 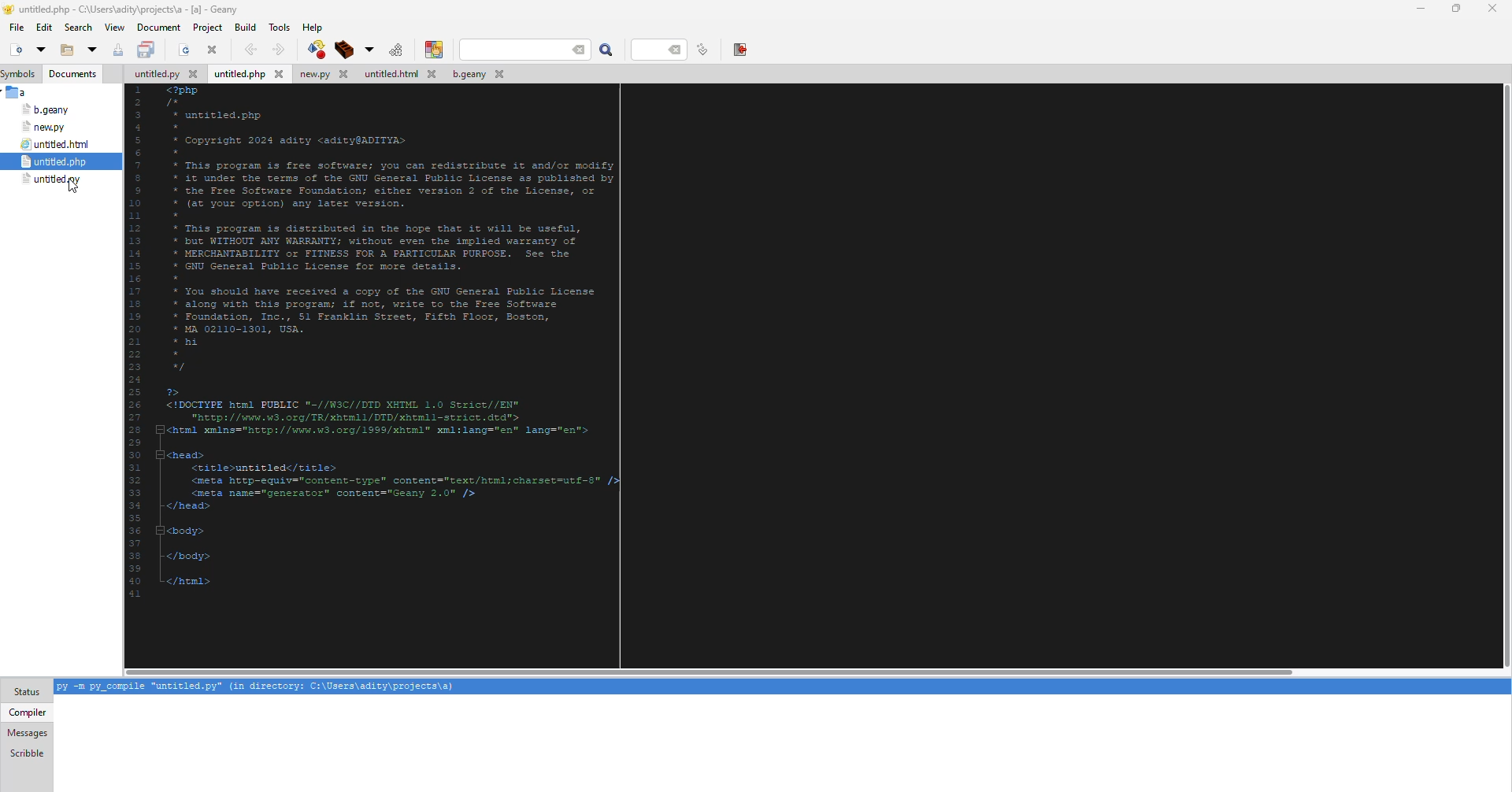 What do you see at coordinates (27, 692) in the screenshot?
I see `status` at bounding box center [27, 692].